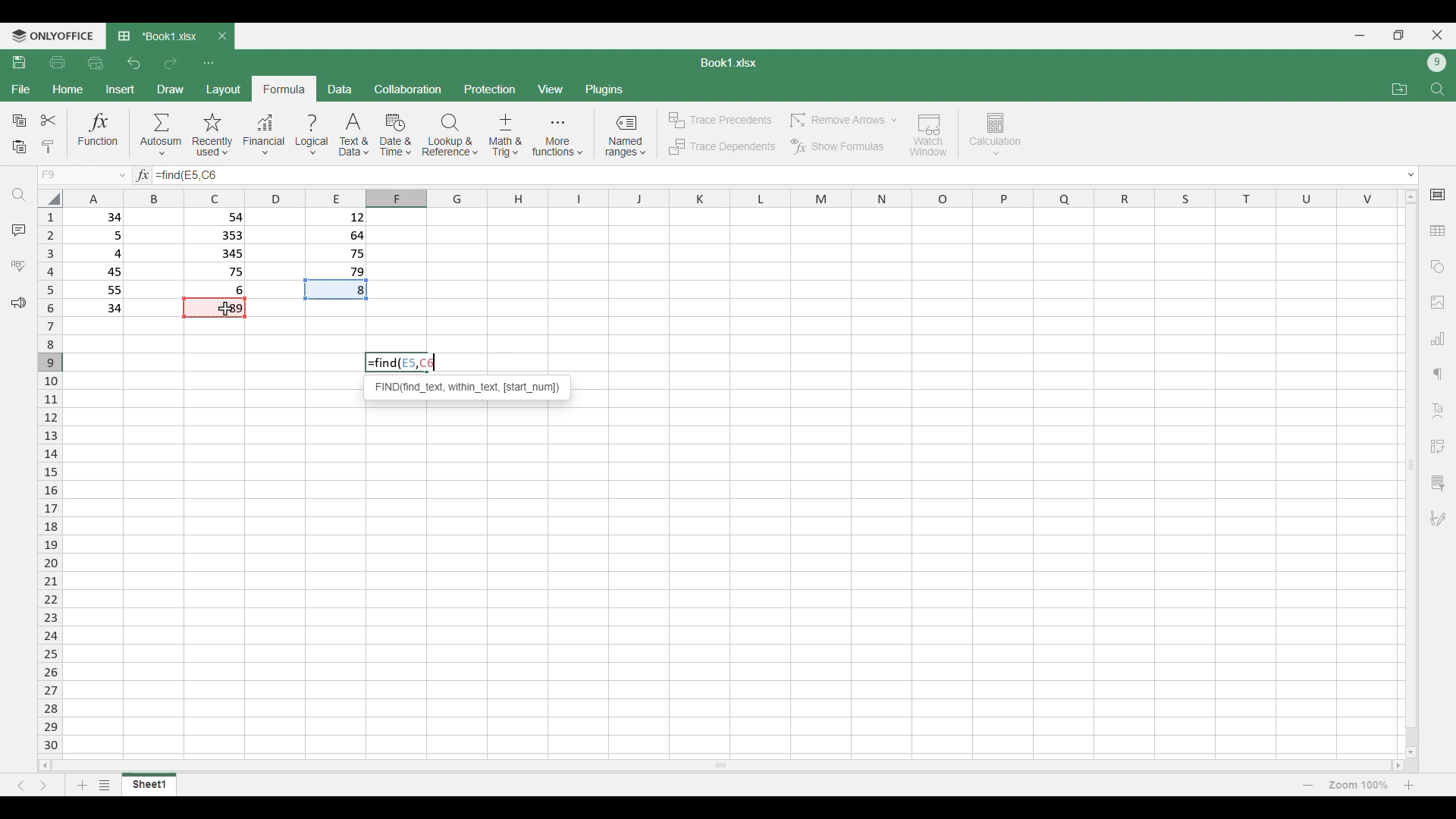 The width and height of the screenshot is (1456, 819). What do you see at coordinates (1308, 785) in the screenshot?
I see `Zoom out` at bounding box center [1308, 785].